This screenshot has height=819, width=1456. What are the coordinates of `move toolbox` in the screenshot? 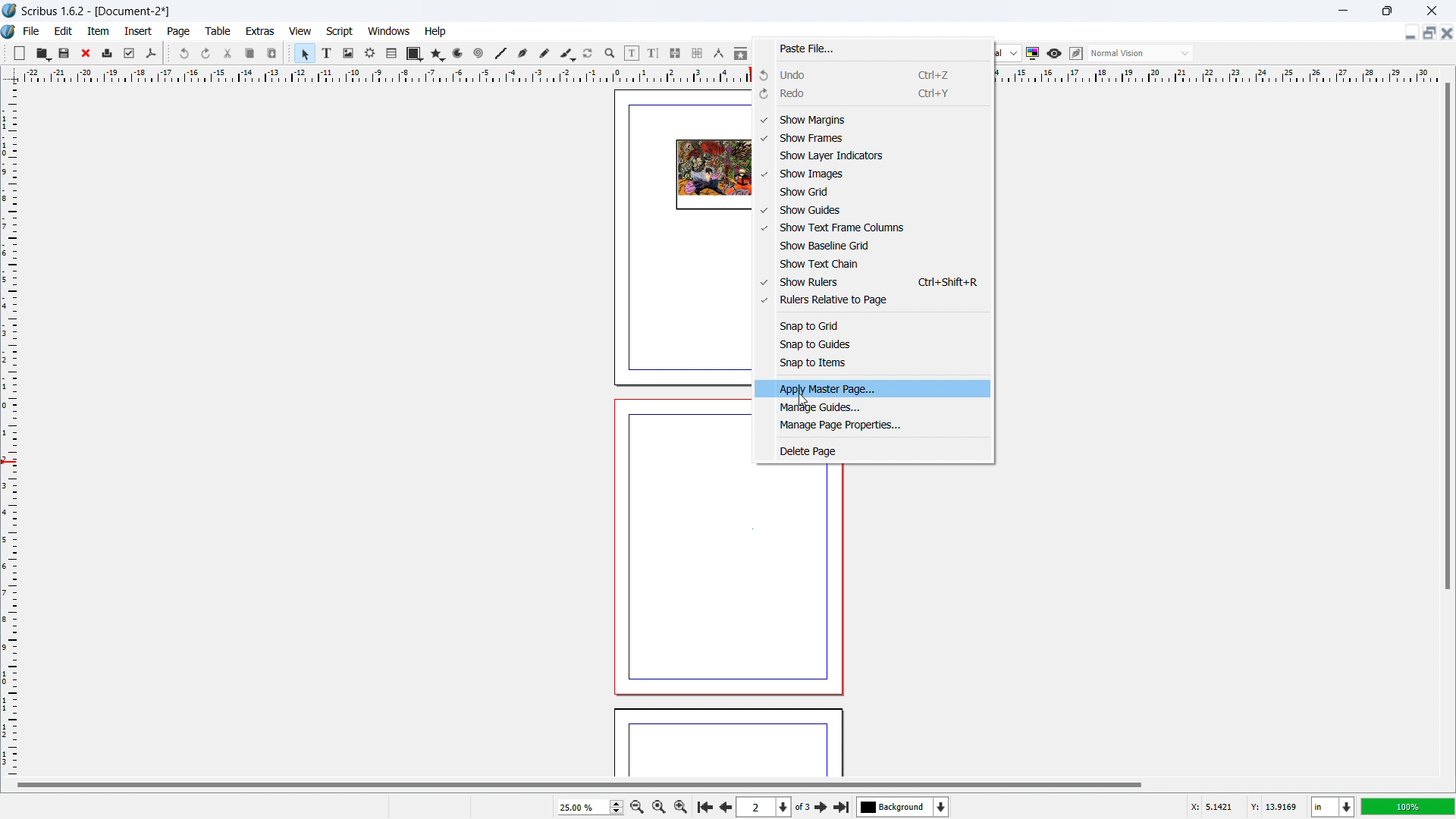 It's located at (168, 52).